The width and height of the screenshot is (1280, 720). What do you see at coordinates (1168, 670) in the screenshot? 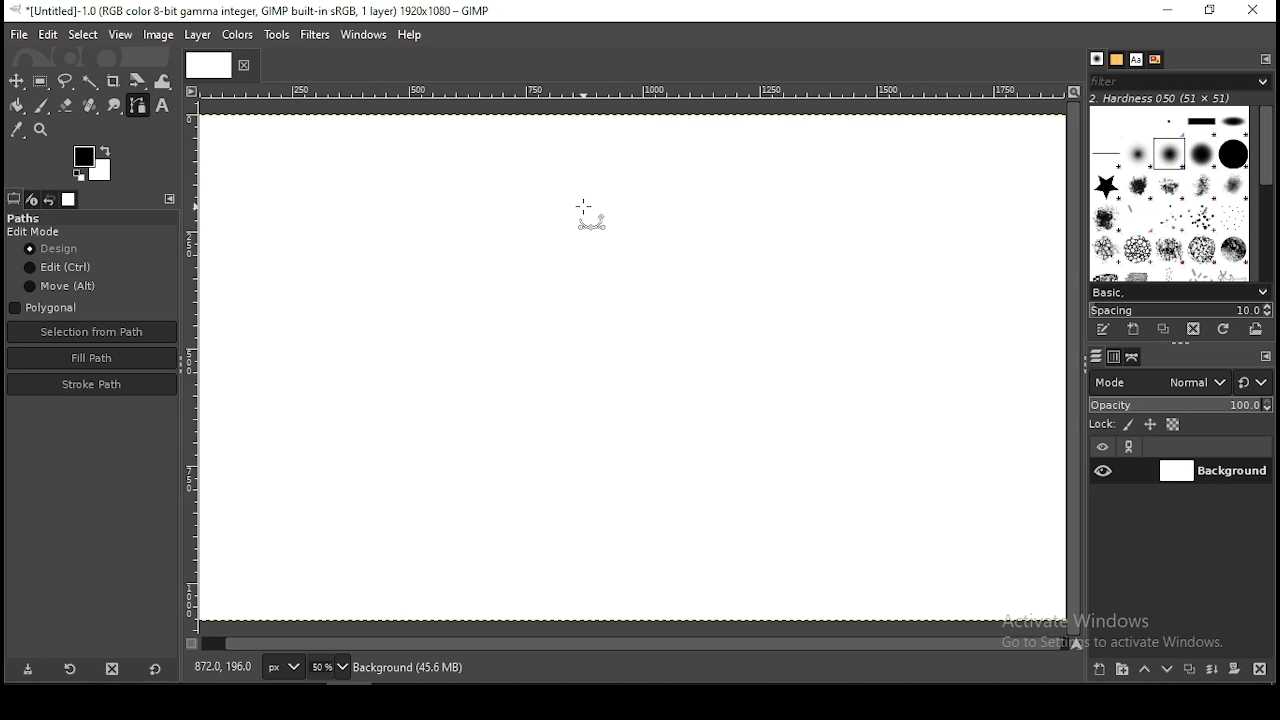
I see `move layer one step down` at bounding box center [1168, 670].